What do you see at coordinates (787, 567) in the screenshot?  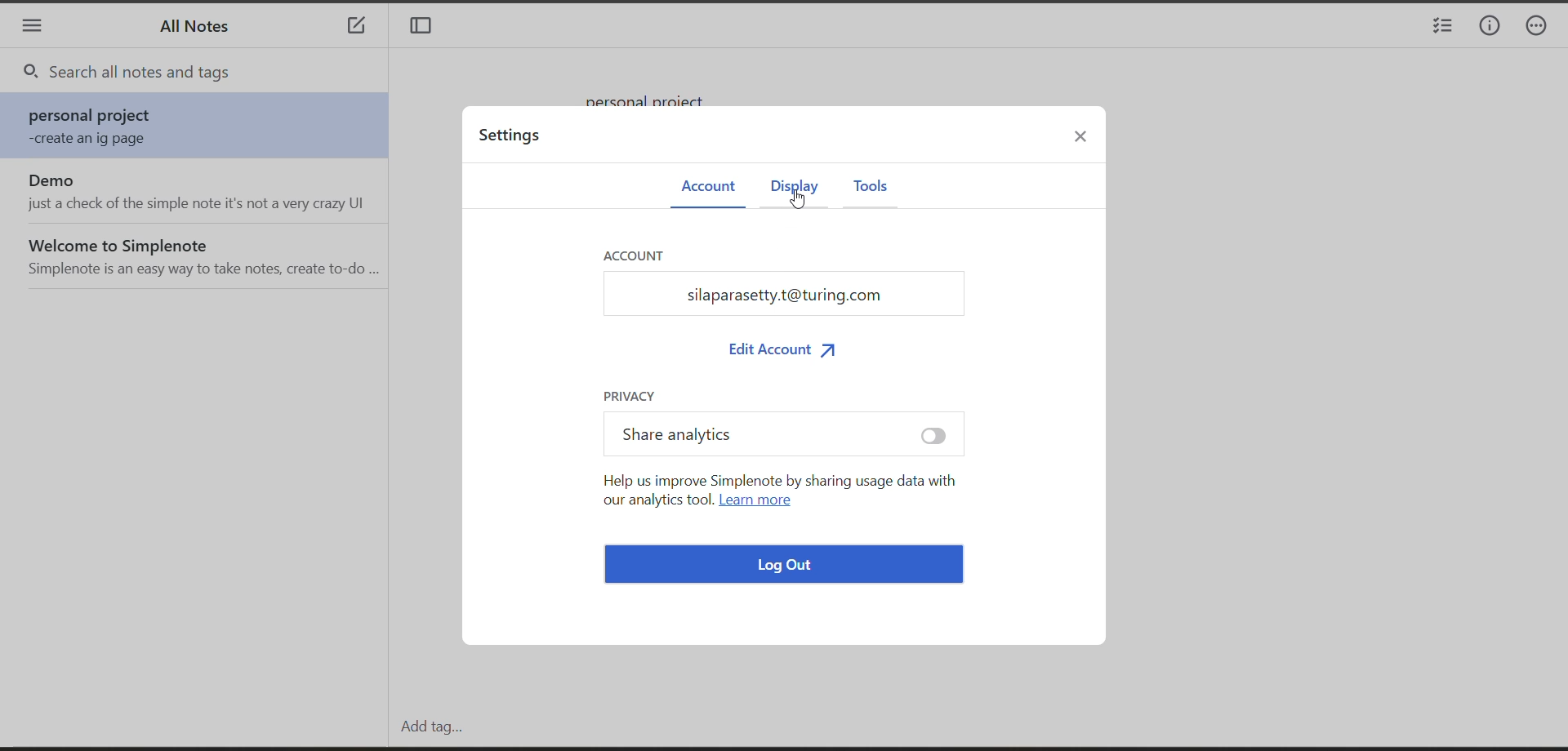 I see `log out` at bounding box center [787, 567].